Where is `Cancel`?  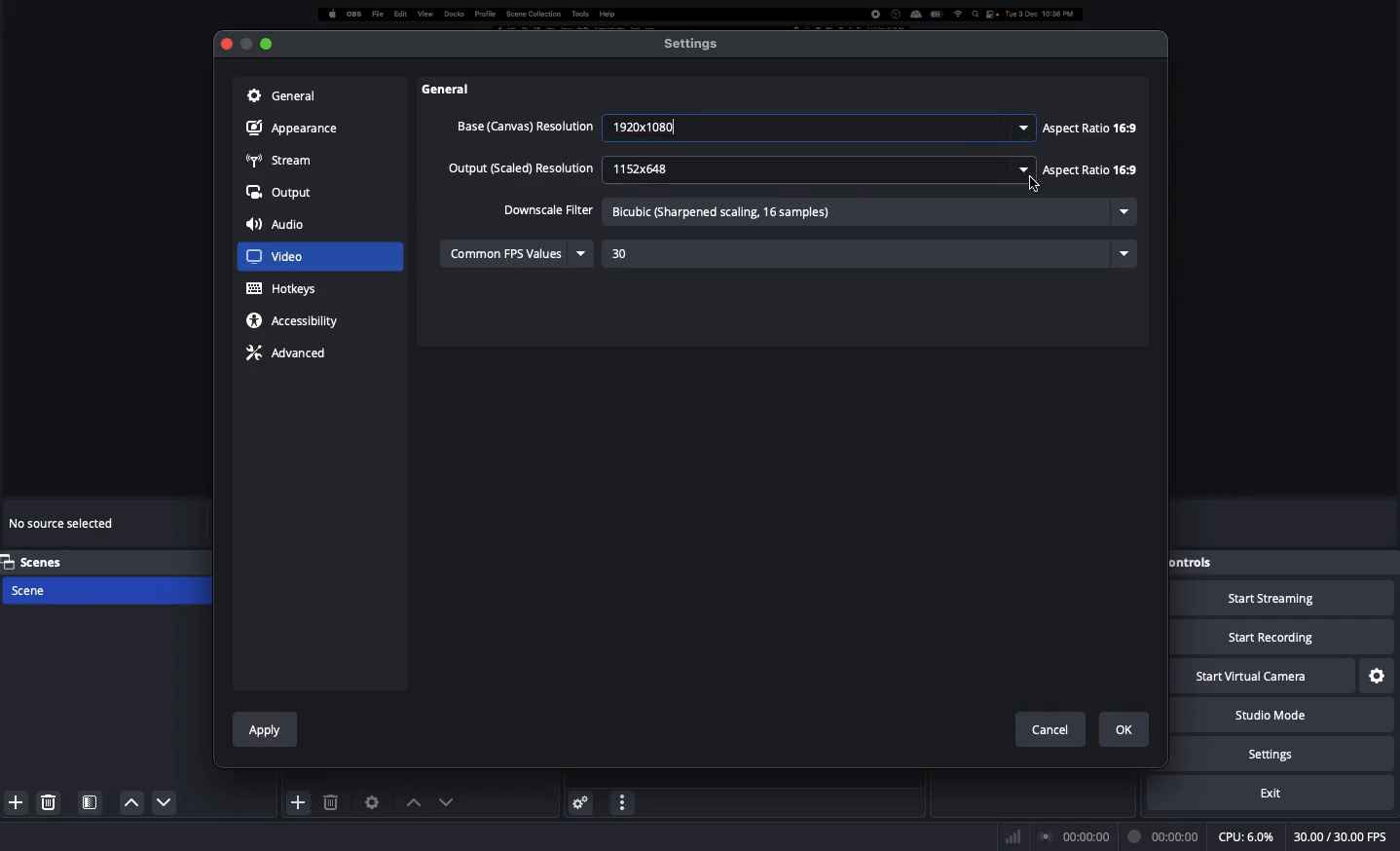 Cancel is located at coordinates (1050, 725).